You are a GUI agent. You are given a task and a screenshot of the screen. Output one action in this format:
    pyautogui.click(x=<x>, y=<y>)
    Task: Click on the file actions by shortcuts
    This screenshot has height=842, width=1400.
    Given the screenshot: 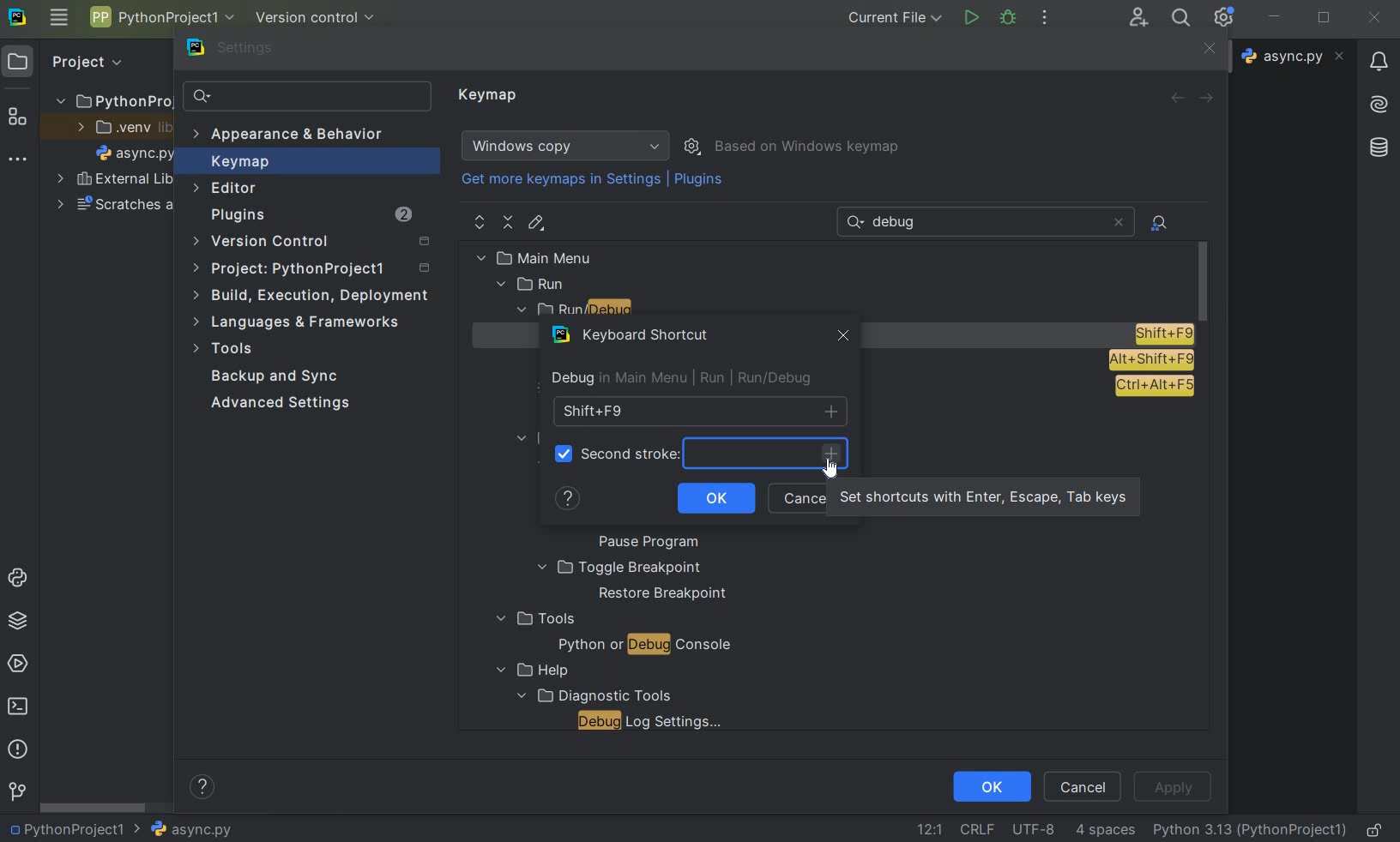 What is the action you would take?
    pyautogui.click(x=1161, y=223)
    